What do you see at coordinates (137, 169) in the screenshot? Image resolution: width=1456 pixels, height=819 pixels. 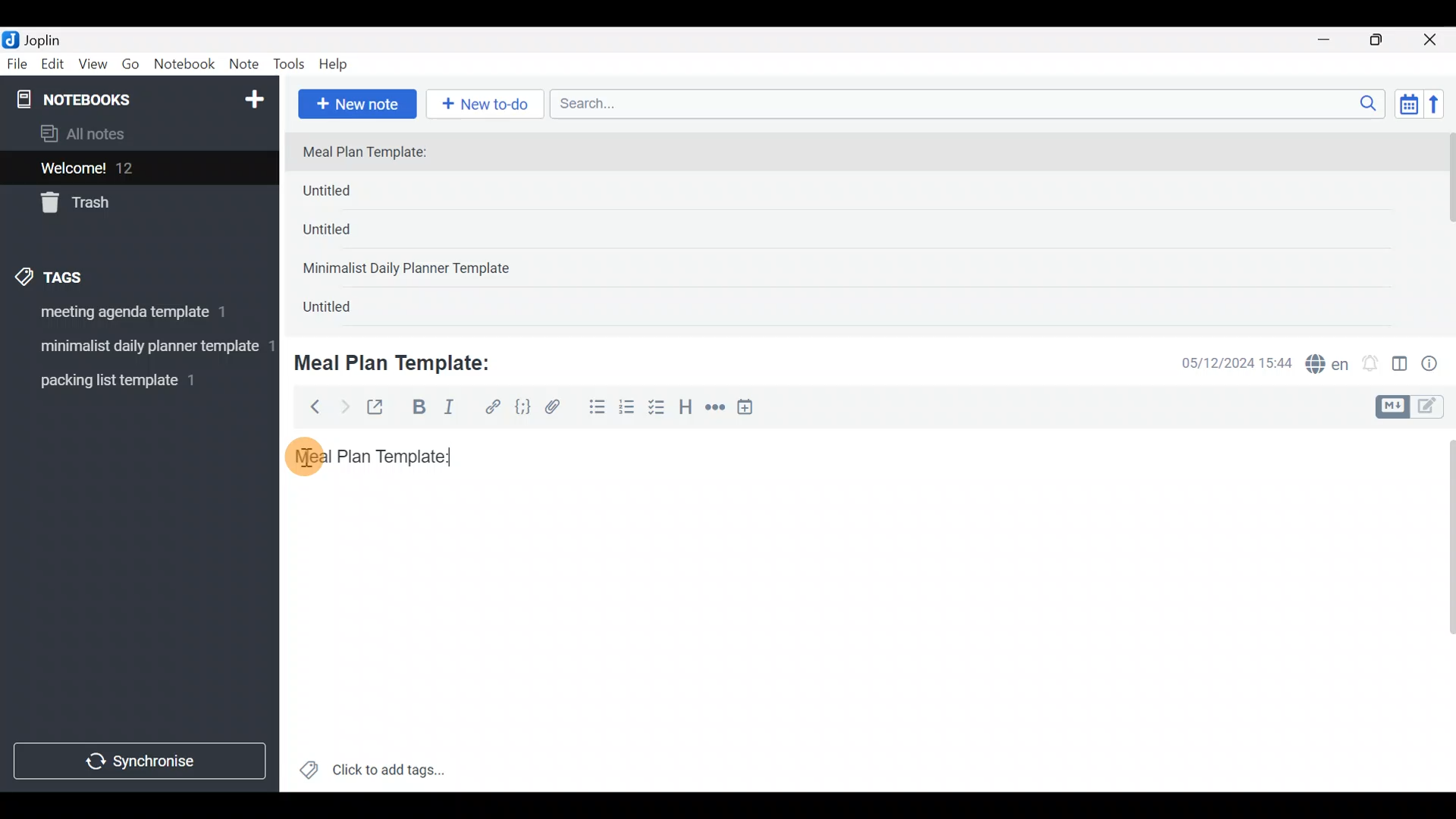 I see `Welcome!` at bounding box center [137, 169].